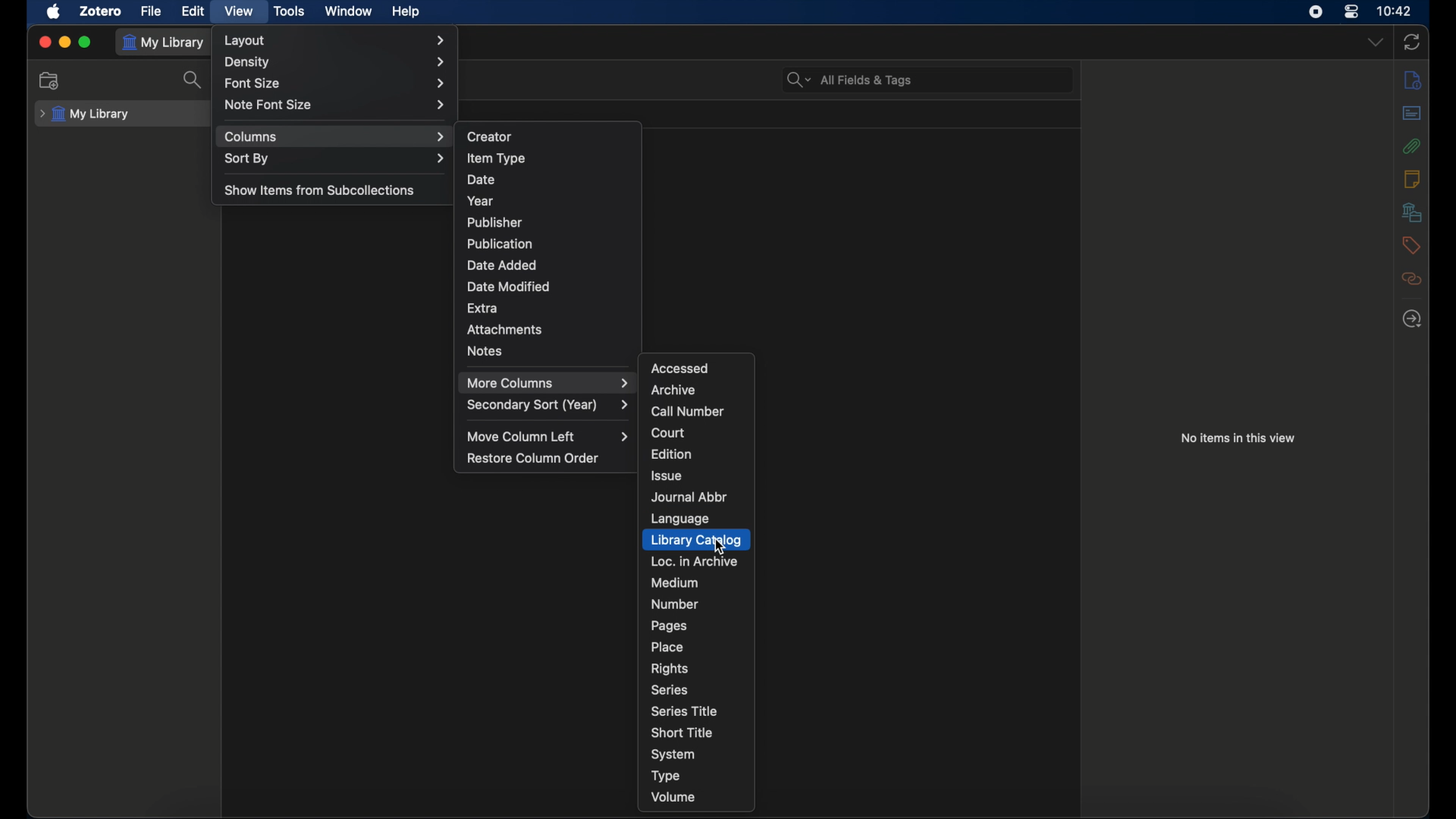  Describe the element at coordinates (673, 755) in the screenshot. I see `system` at that location.